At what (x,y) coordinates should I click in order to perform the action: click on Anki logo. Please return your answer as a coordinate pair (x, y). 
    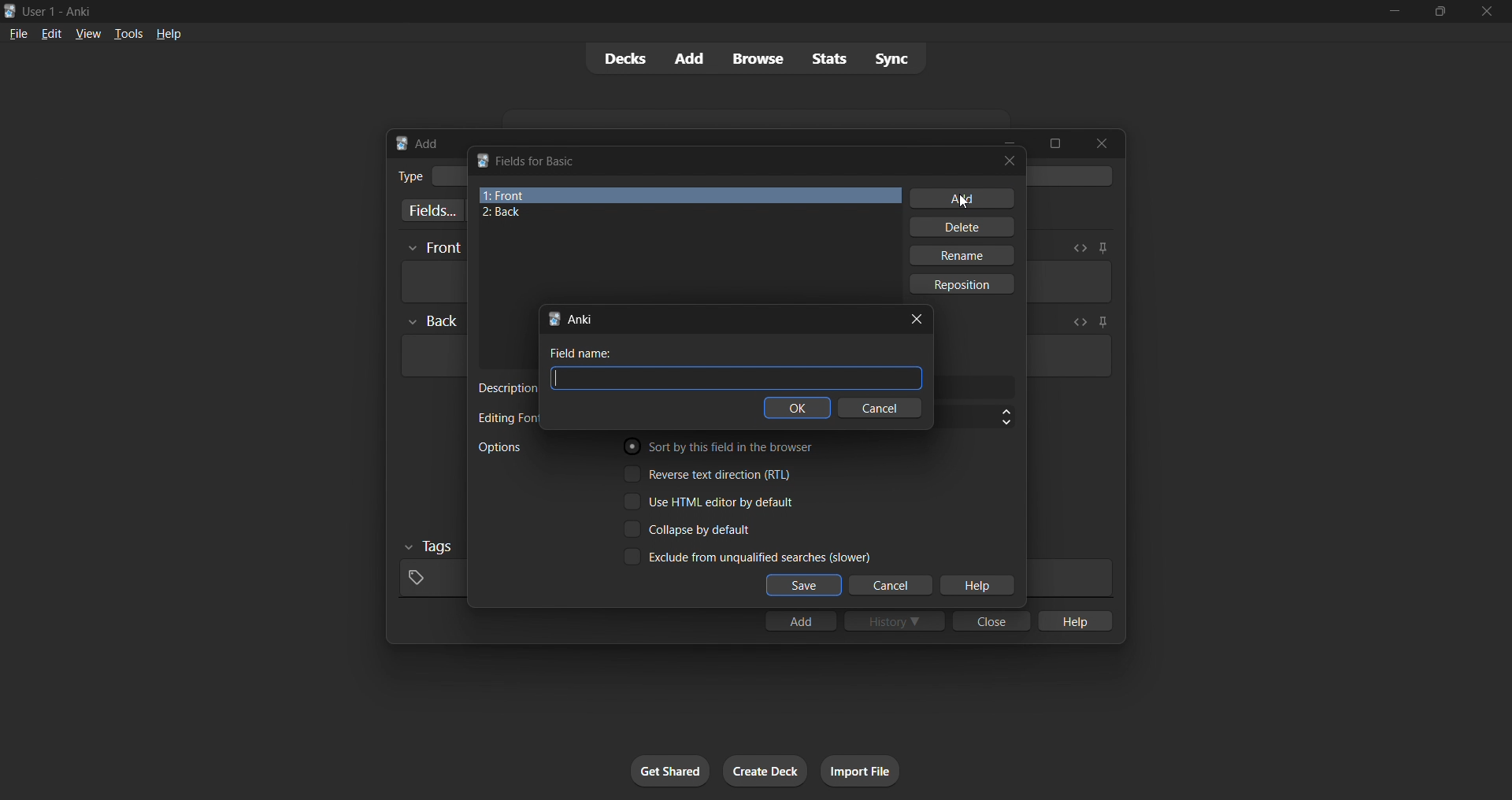
    Looking at the image, I should click on (10, 11).